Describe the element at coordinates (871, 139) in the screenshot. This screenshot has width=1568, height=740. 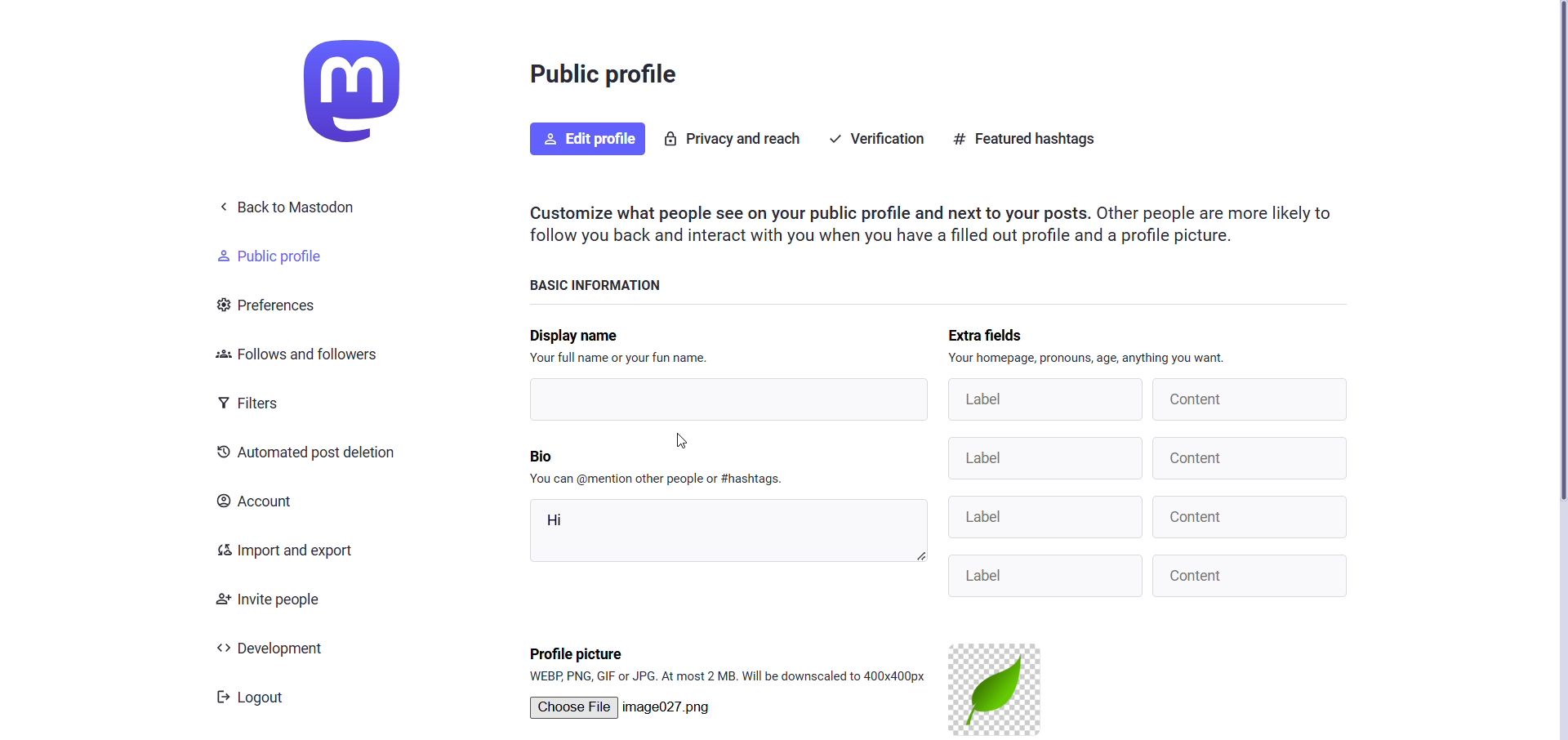
I see `verification` at that location.